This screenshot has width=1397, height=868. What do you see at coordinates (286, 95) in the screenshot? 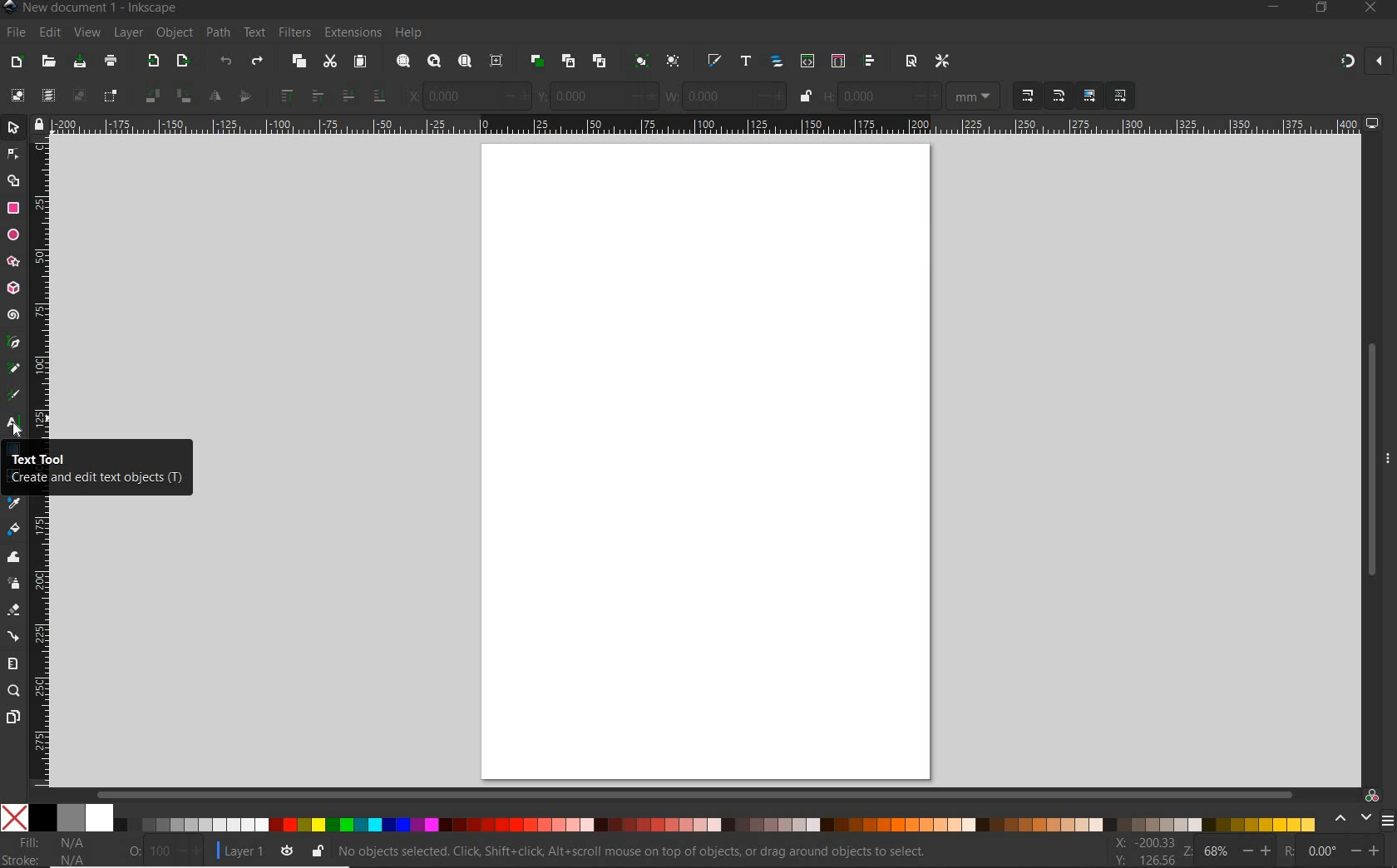
I see `raise selection` at bounding box center [286, 95].